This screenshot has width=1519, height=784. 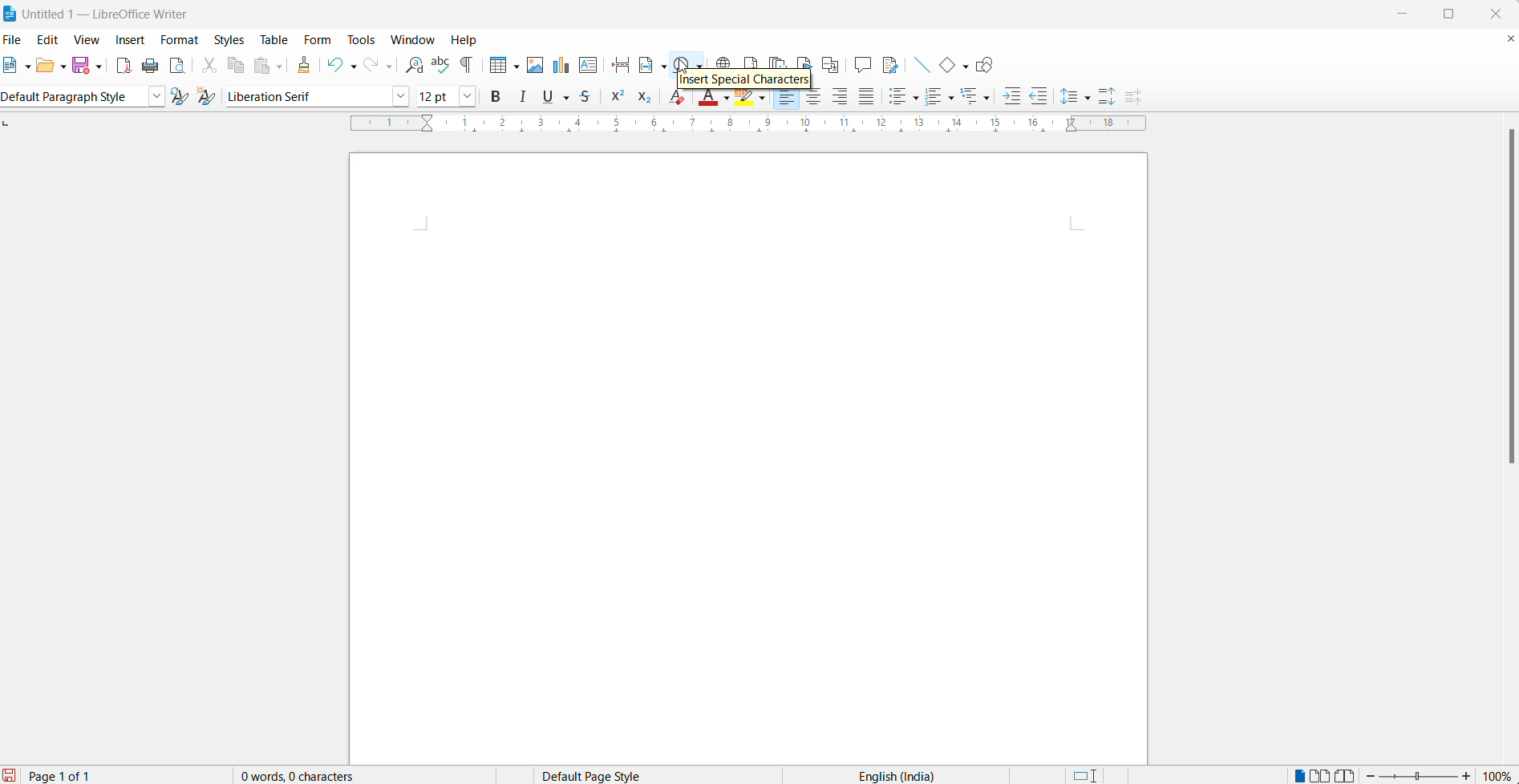 What do you see at coordinates (646, 98) in the screenshot?
I see `subscript` at bounding box center [646, 98].